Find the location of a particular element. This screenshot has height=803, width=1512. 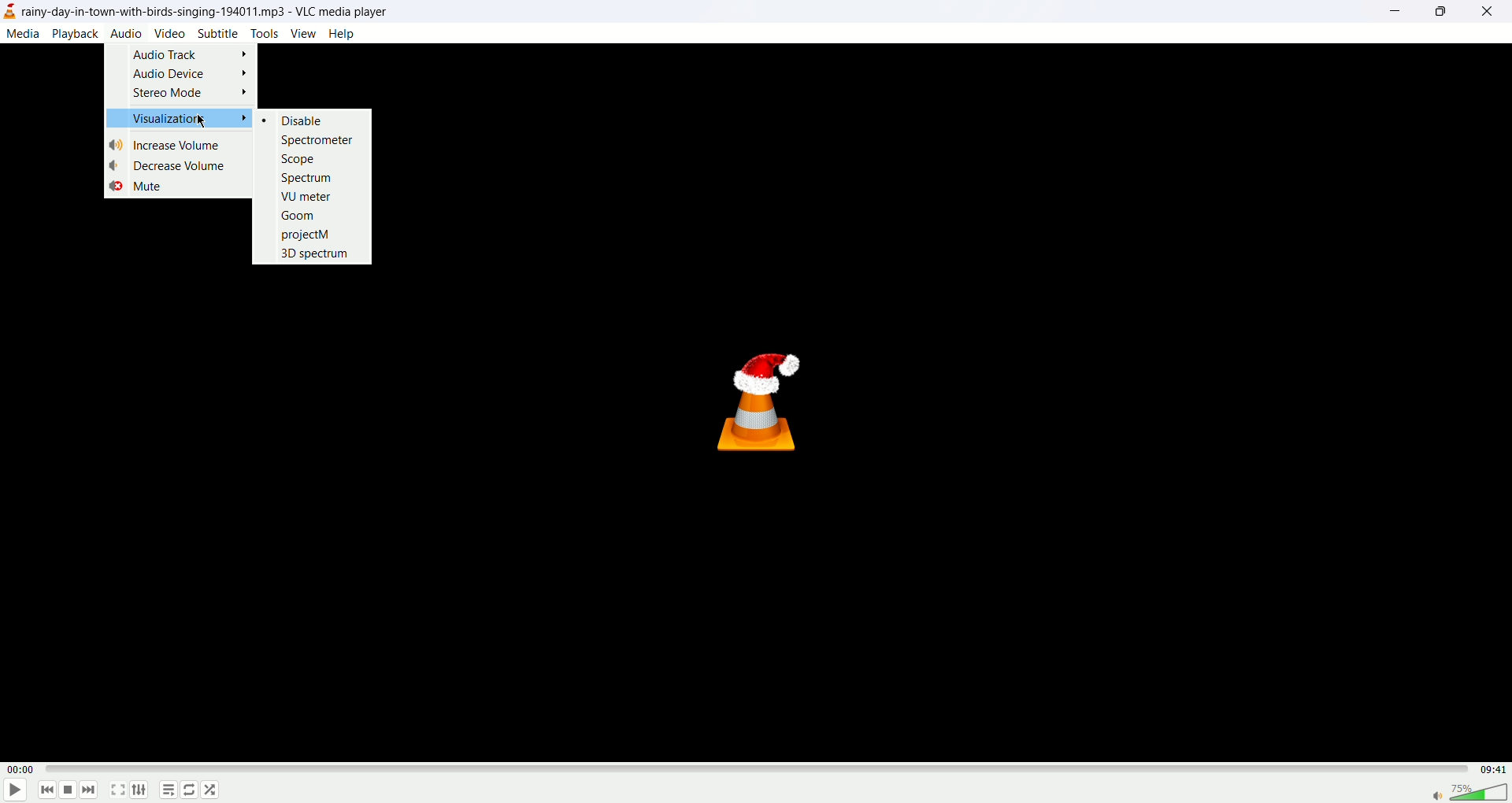

spectrum is located at coordinates (302, 177).